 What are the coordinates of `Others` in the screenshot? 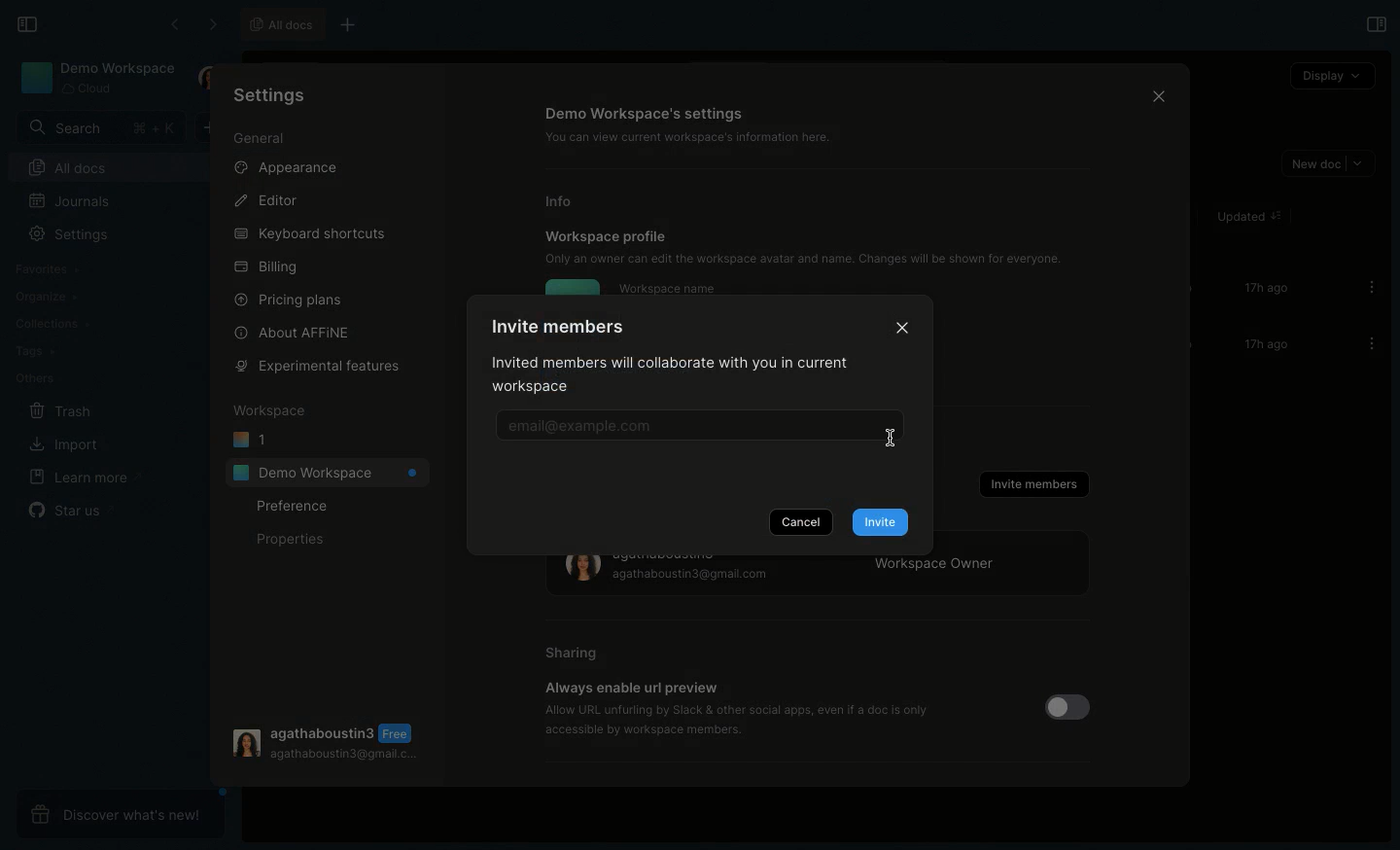 It's located at (33, 377).